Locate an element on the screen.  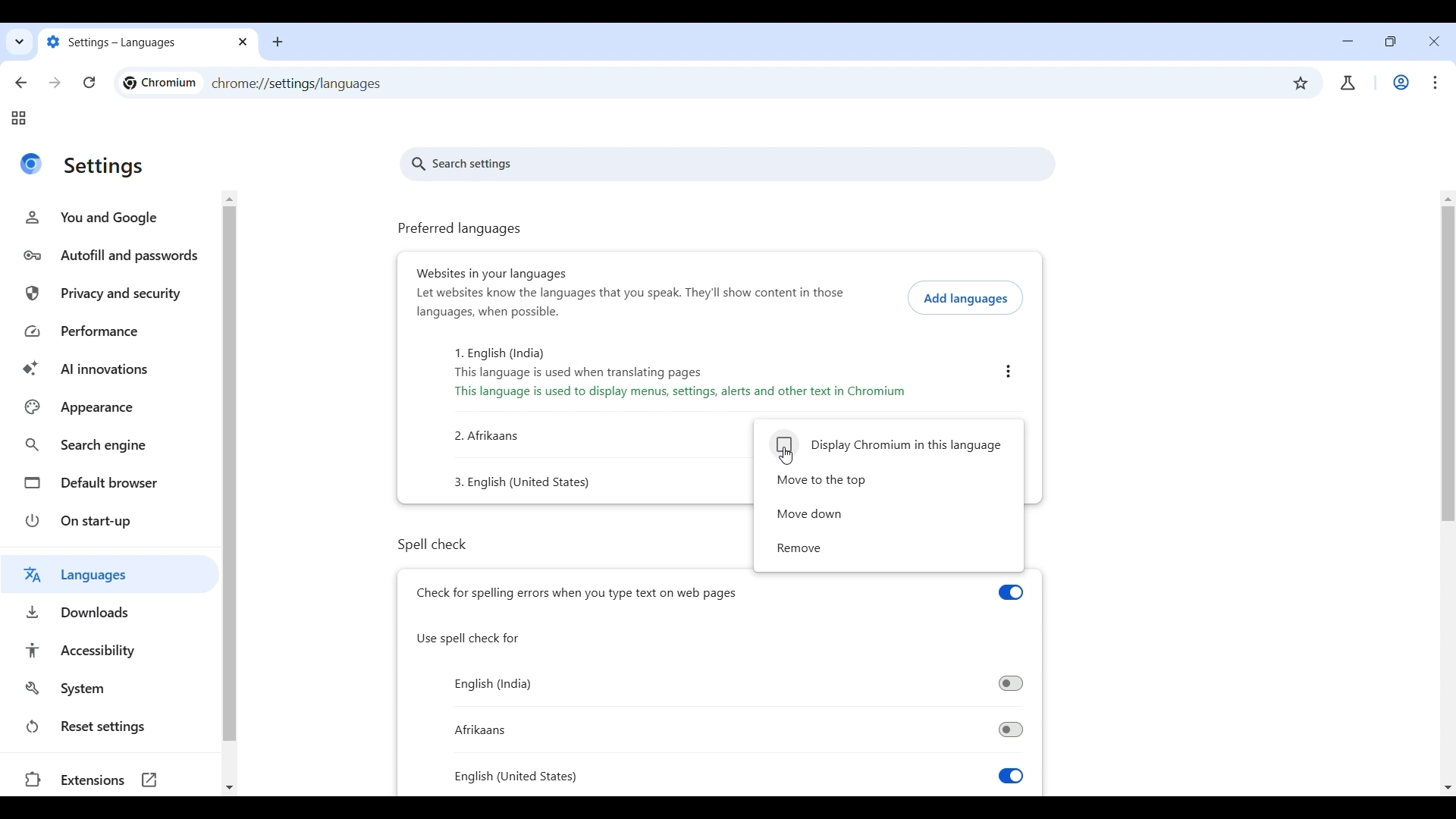
Move to the top is located at coordinates (891, 481).